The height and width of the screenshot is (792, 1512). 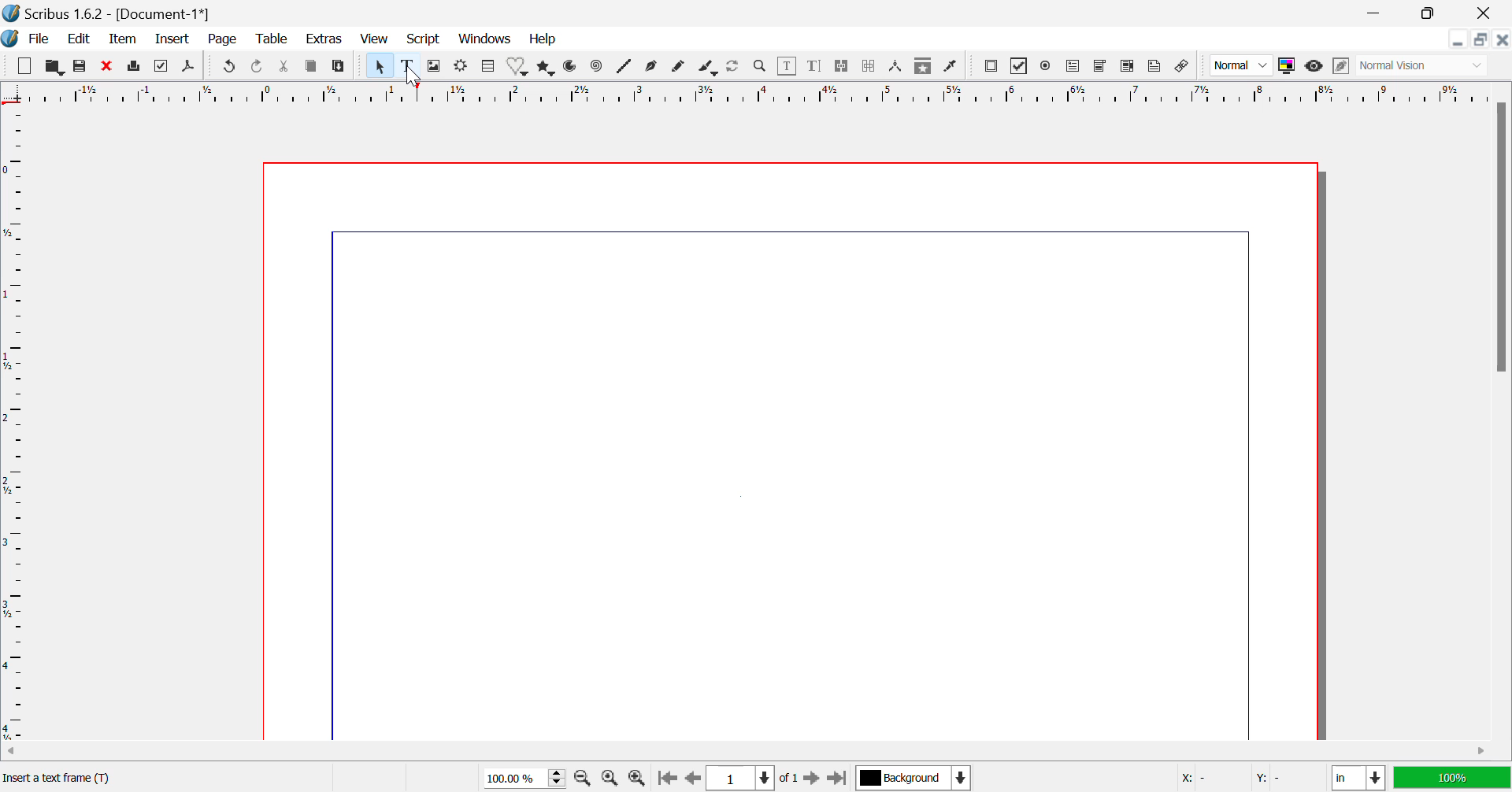 I want to click on Close, so click(x=1484, y=13).